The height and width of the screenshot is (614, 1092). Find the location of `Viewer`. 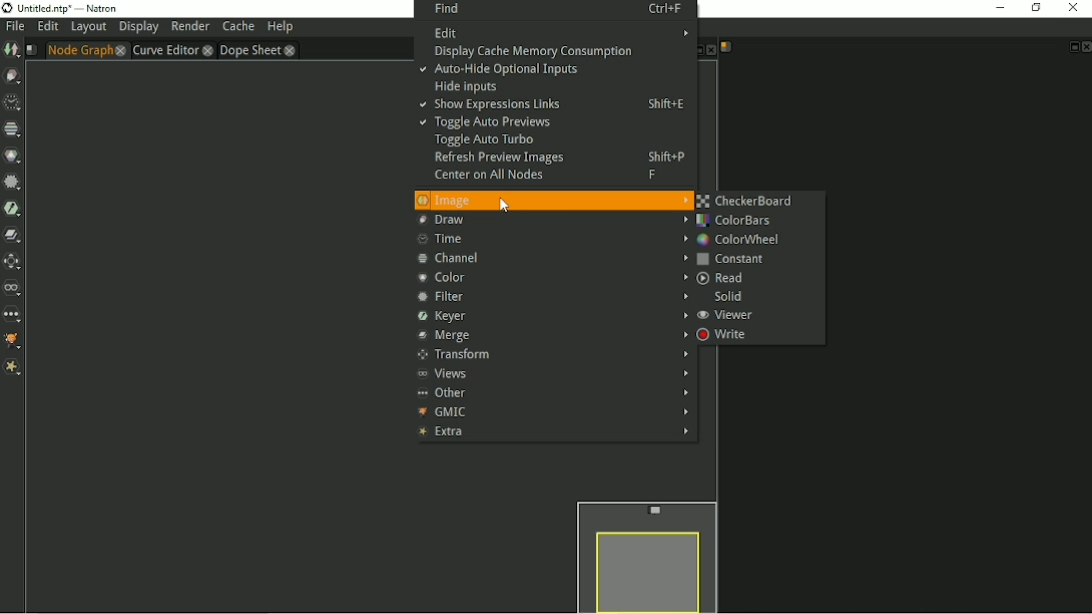

Viewer is located at coordinates (726, 316).